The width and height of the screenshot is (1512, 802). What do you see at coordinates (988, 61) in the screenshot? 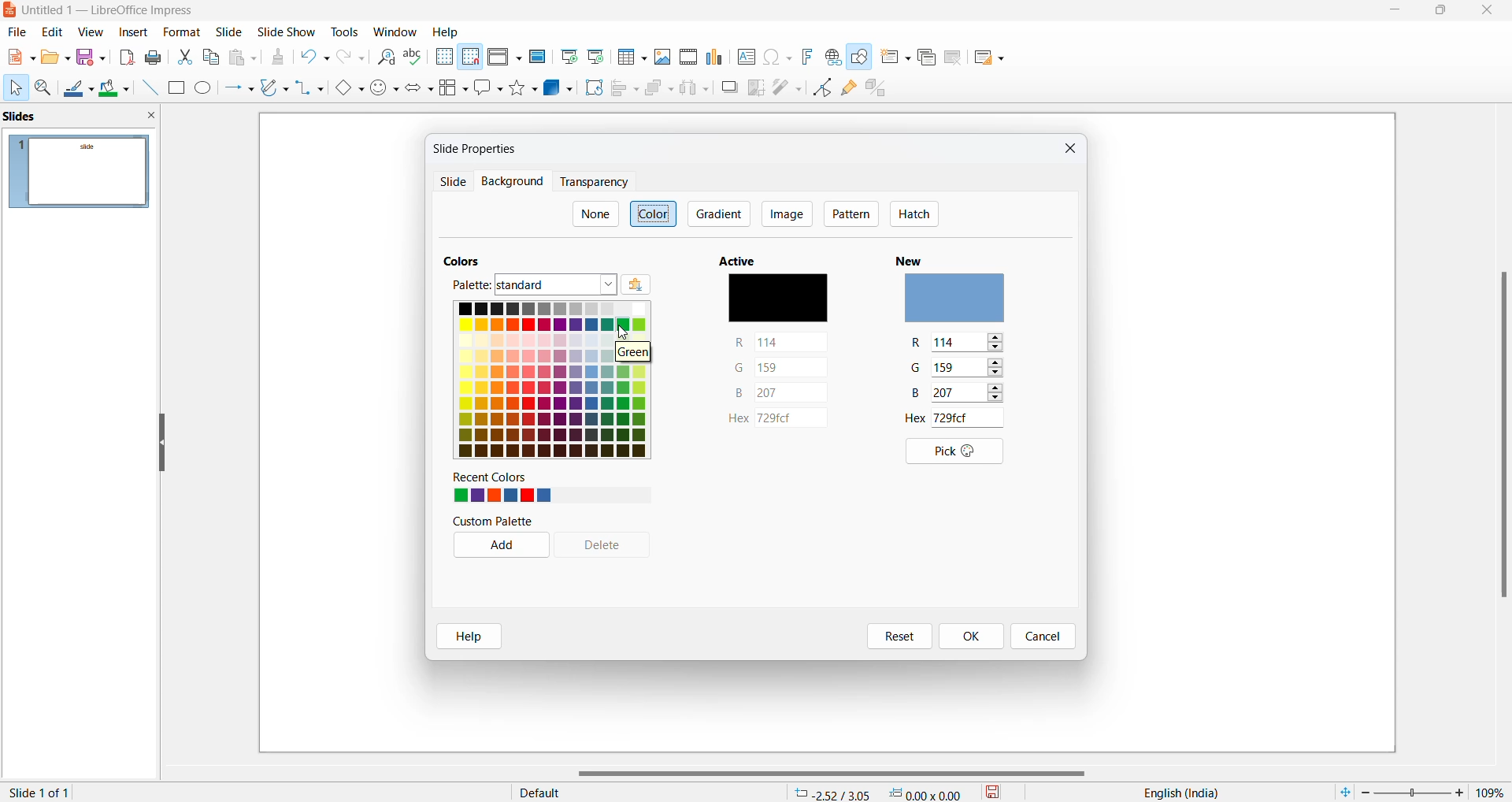
I see `slide layout` at bounding box center [988, 61].